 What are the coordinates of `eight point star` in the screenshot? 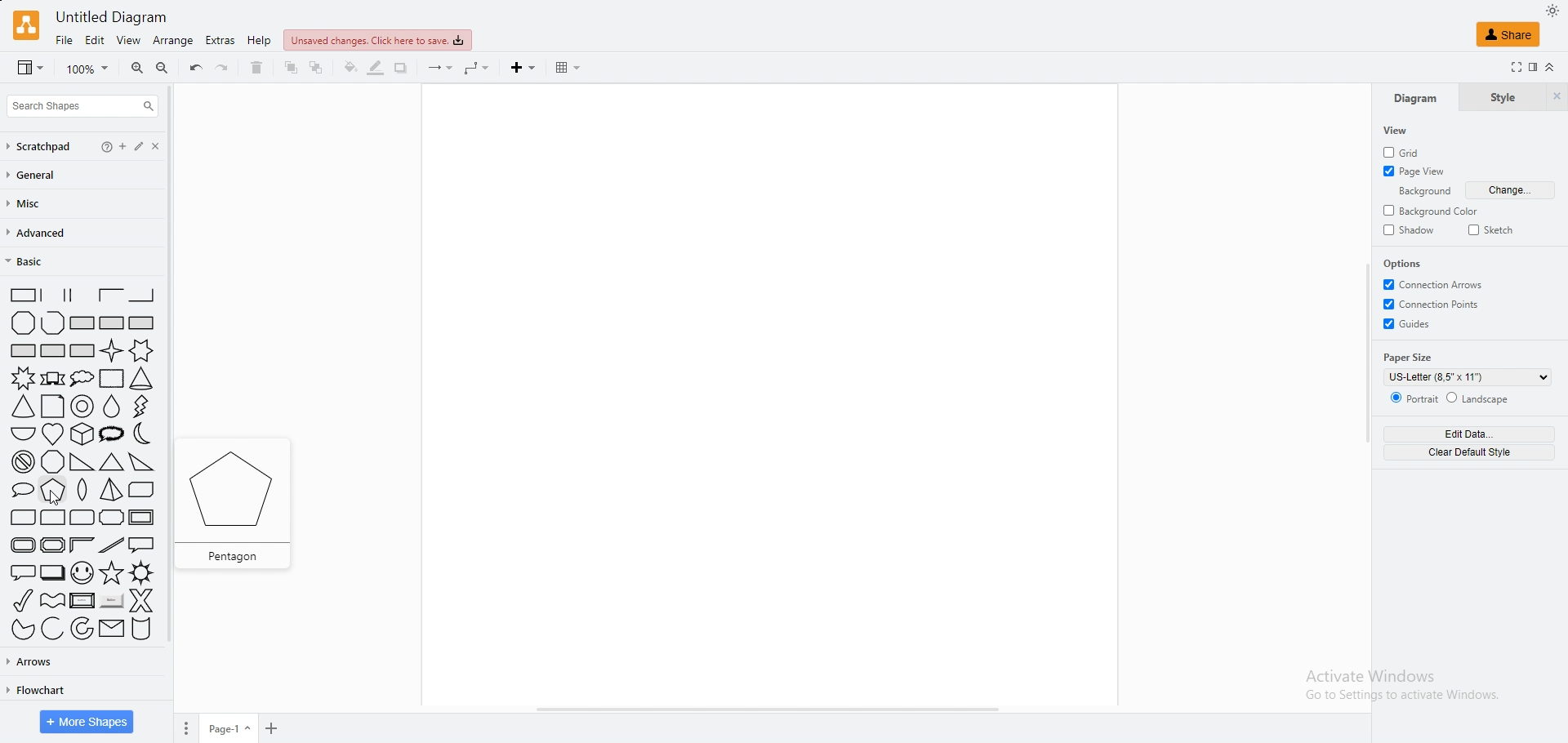 It's located at (21, 378).